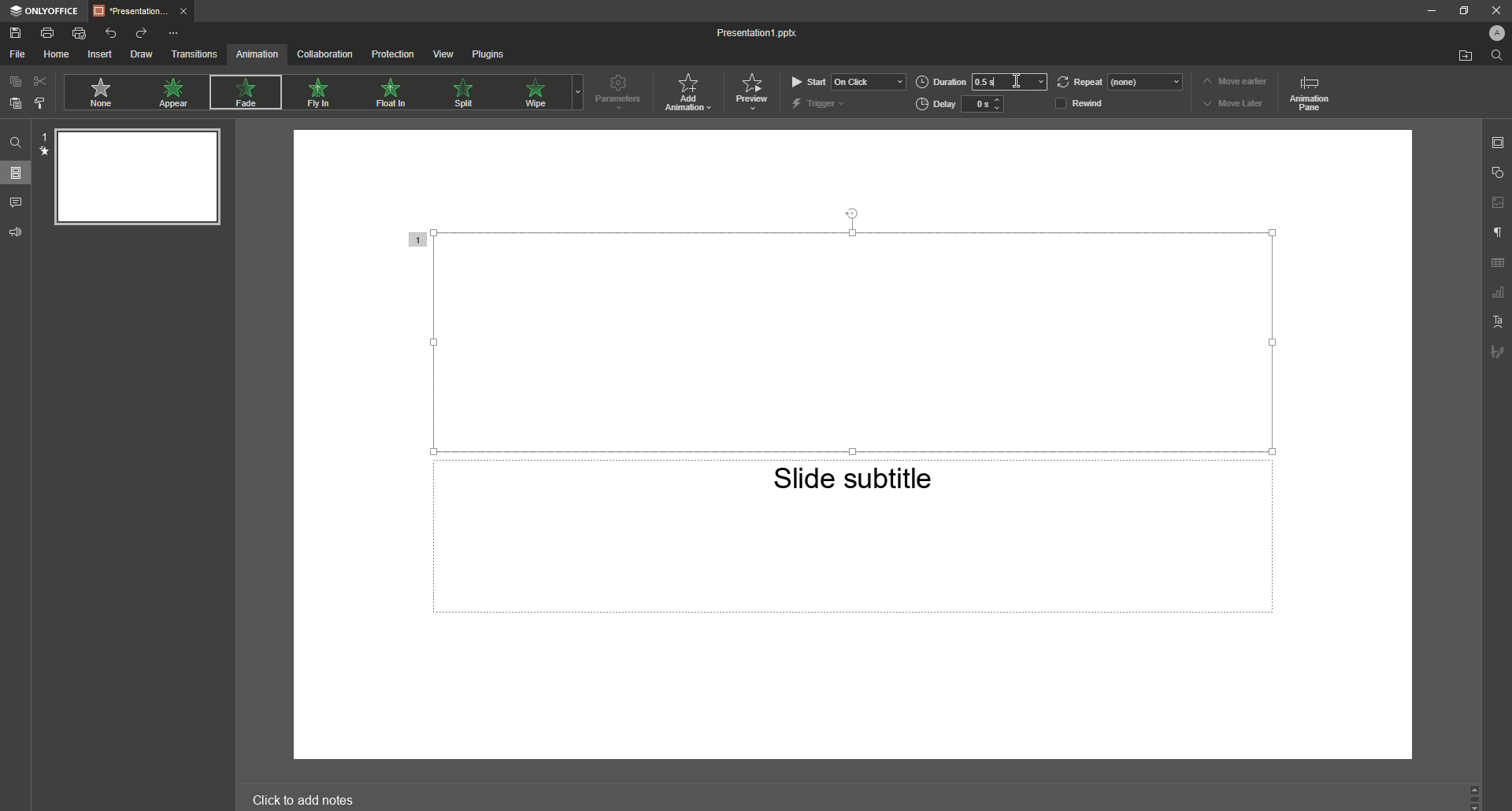 The width and height of the screenshot is (1512, 811). I want to click on Close, so click(1496, 10).